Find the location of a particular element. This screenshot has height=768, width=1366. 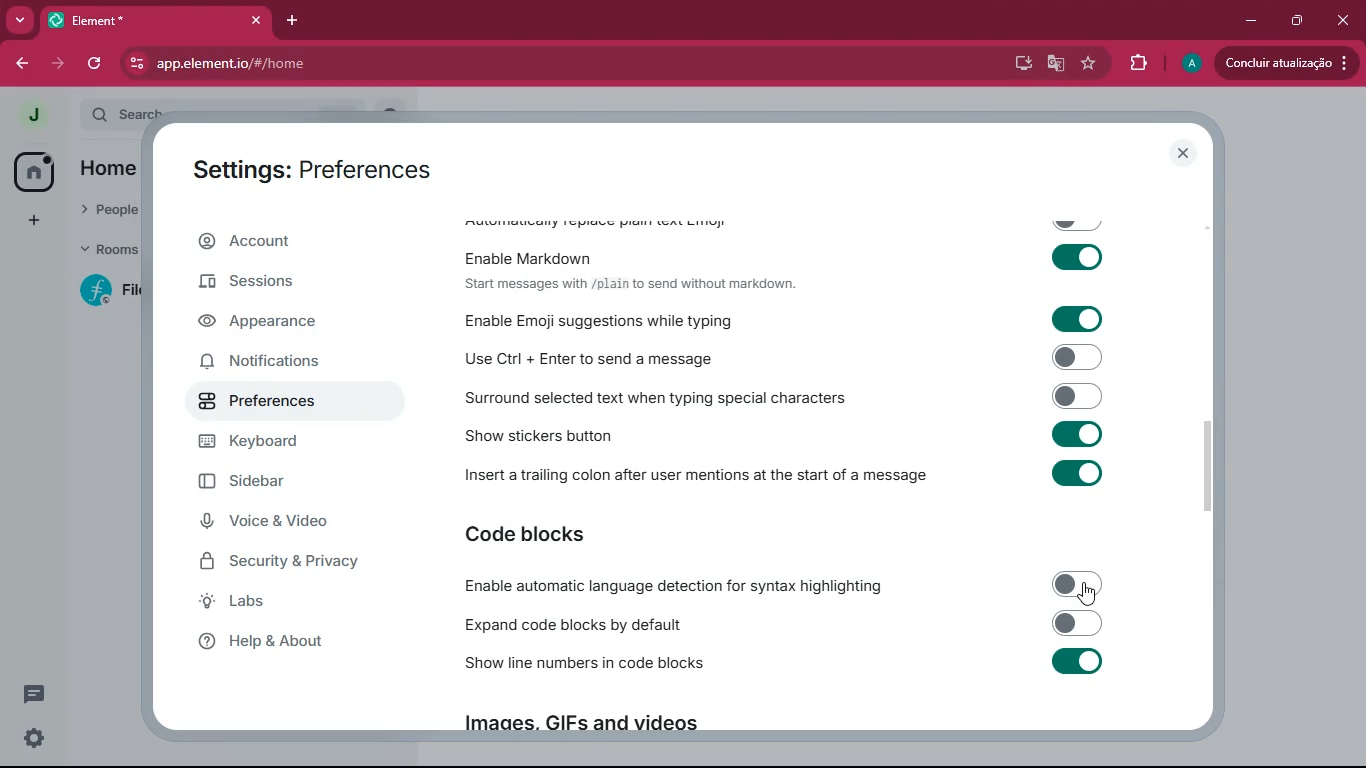

Insert a trailing colon after user mentions at the start of a message is located at coordinates (788, 472).